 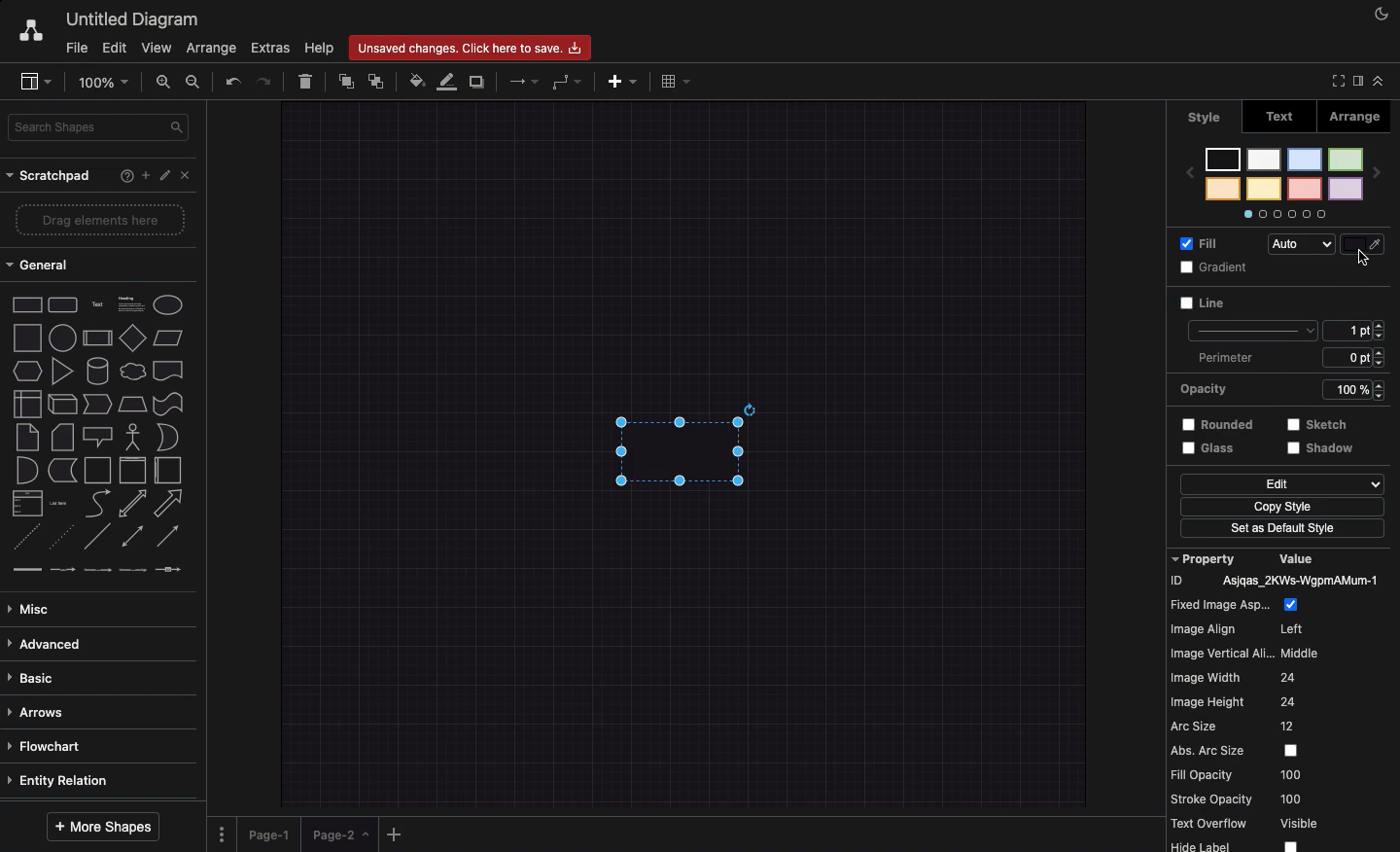 What do you see at coordinates (673, 81) in the screenshot?
I see `Table` at bounding box center [673, 81].